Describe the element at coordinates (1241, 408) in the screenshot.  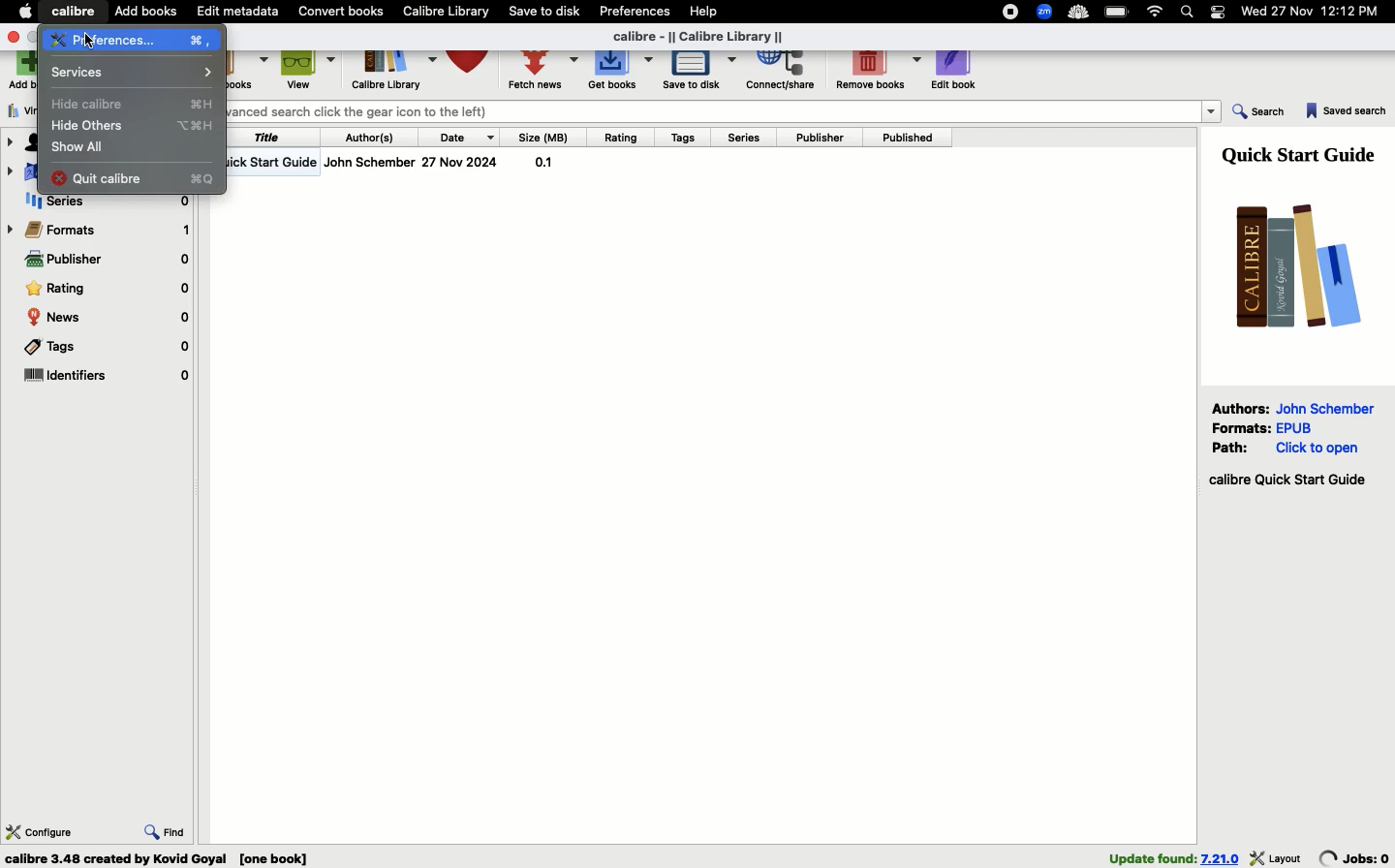
I see `Authors` at that location.